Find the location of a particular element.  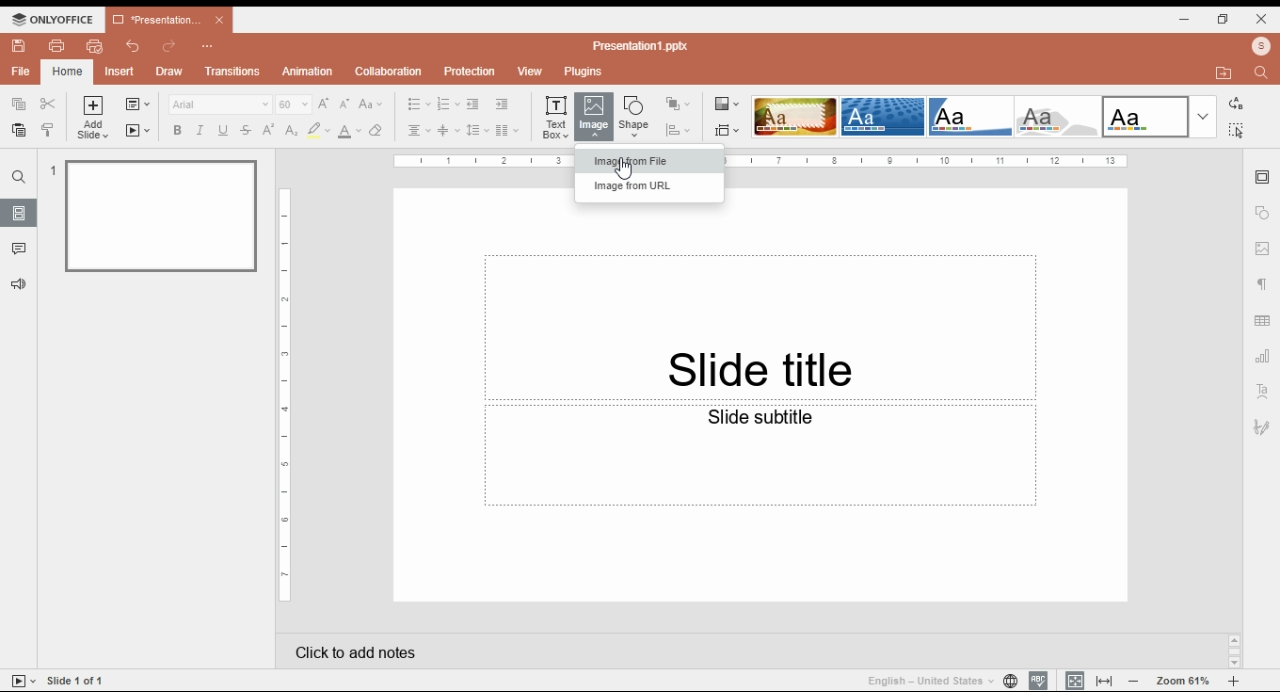

paste is located at coordinates (20, 130).